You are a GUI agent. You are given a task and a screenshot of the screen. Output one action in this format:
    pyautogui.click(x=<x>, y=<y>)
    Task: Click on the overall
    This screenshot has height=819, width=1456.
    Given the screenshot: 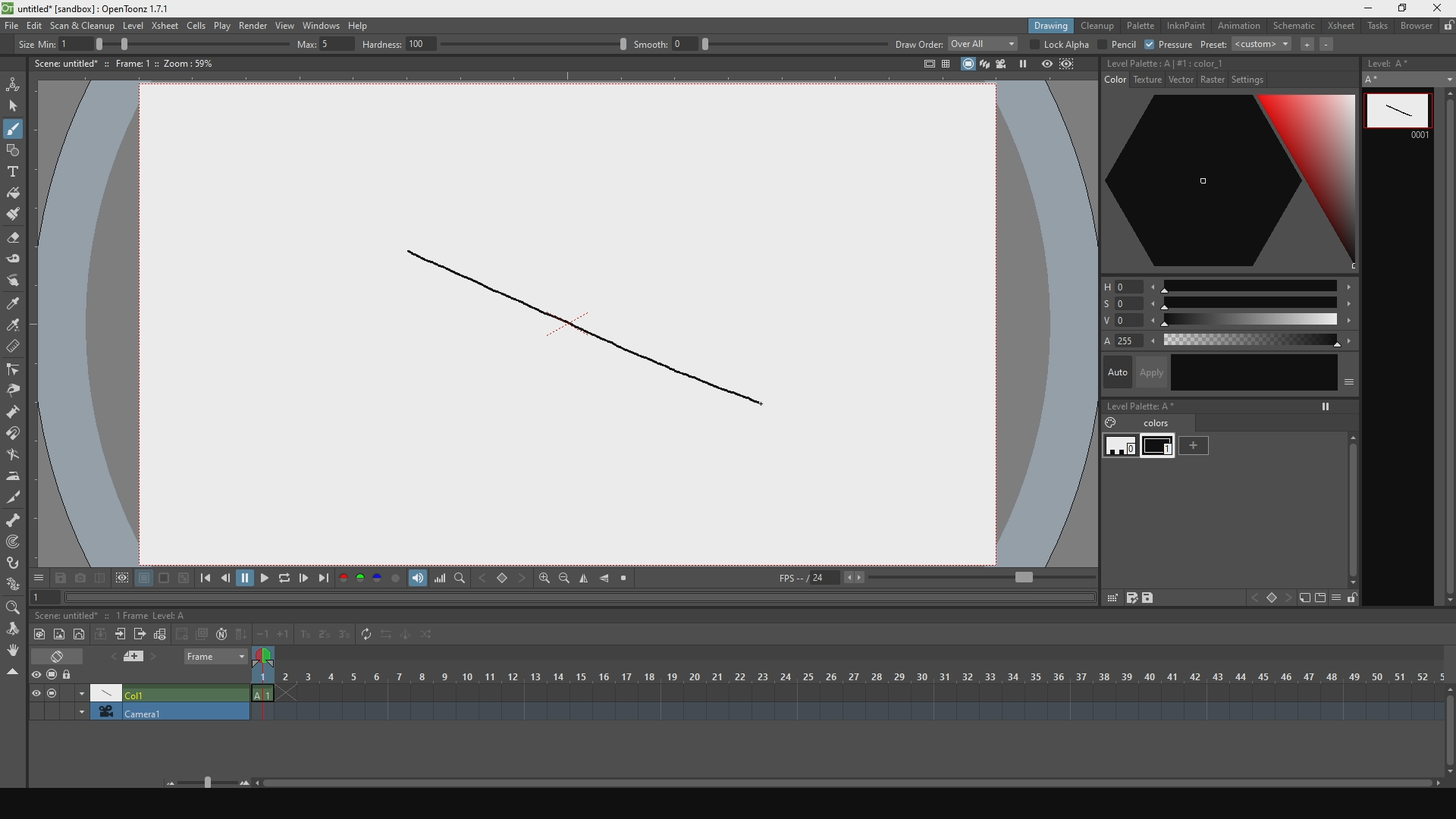 What is the action you would take?
    pyautogui.click(x=983, y=44)
    